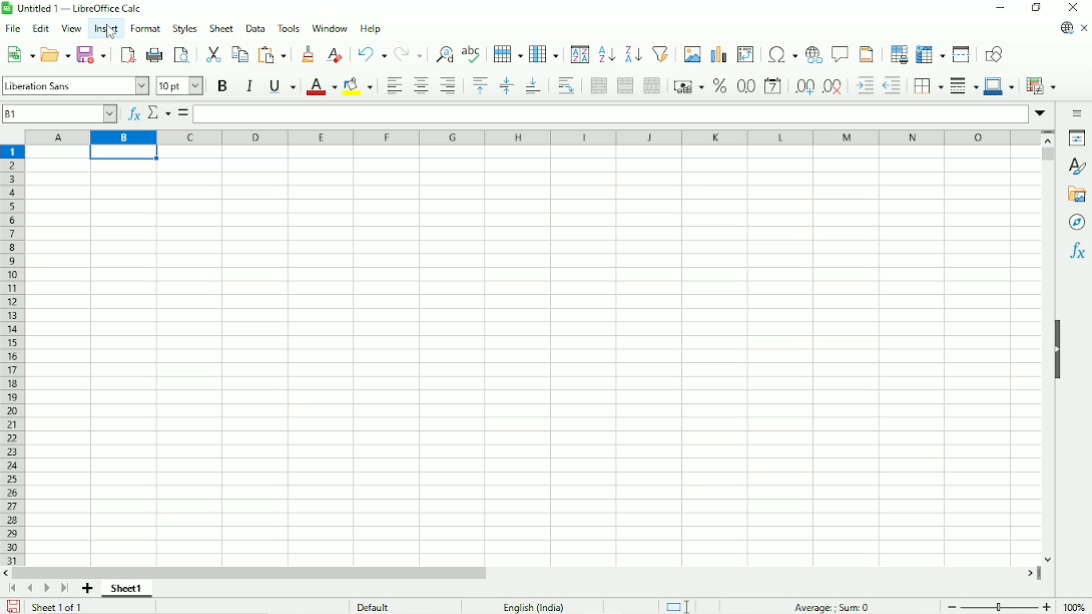 The image size is (1092, 614). Describe the element at coordinates (214, 54) in the screenshot. I see `Cut` at that location.